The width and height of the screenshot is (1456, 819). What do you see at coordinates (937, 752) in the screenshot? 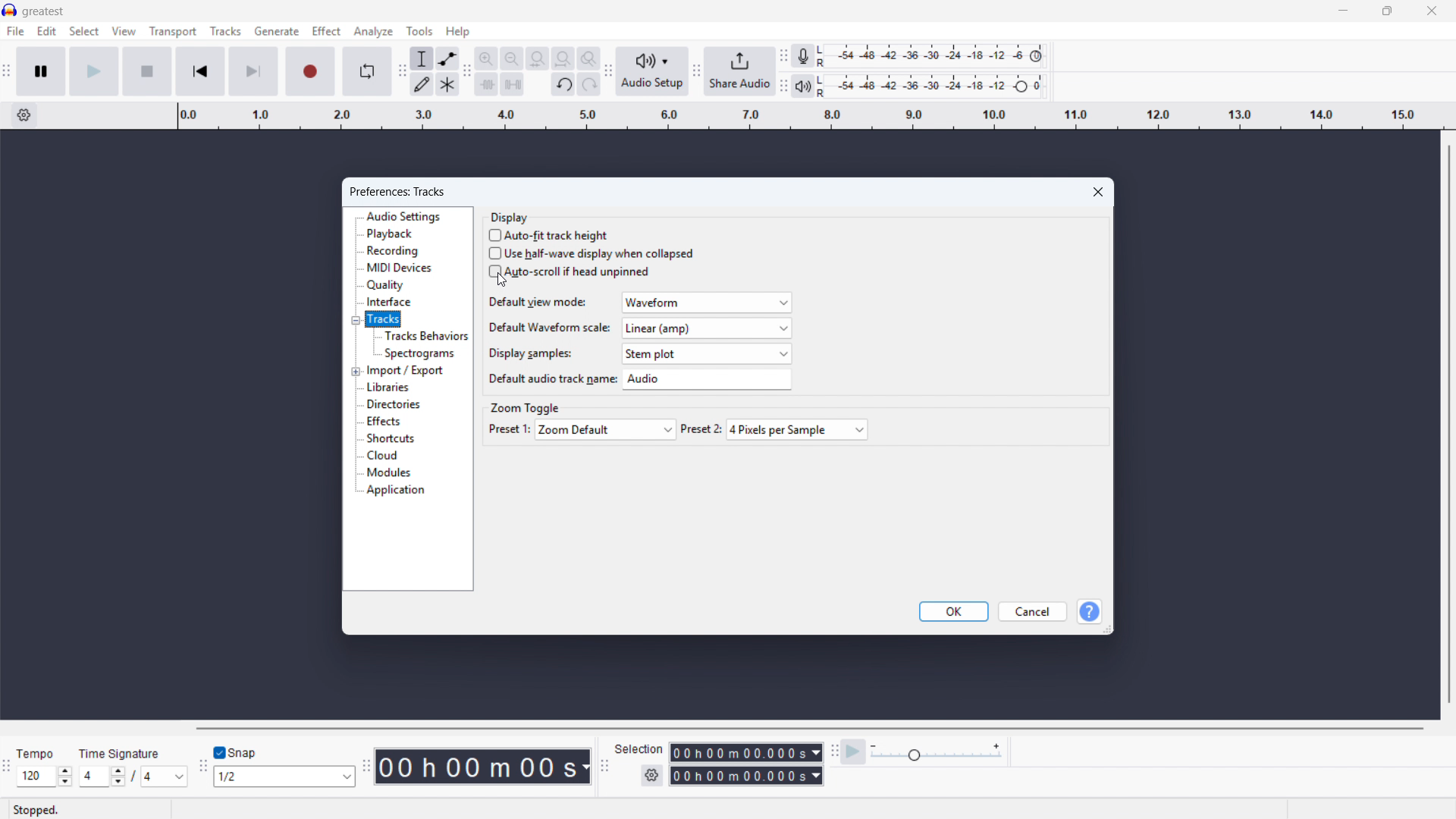
I see `Playback speed ` at bounding box center [937, 752].